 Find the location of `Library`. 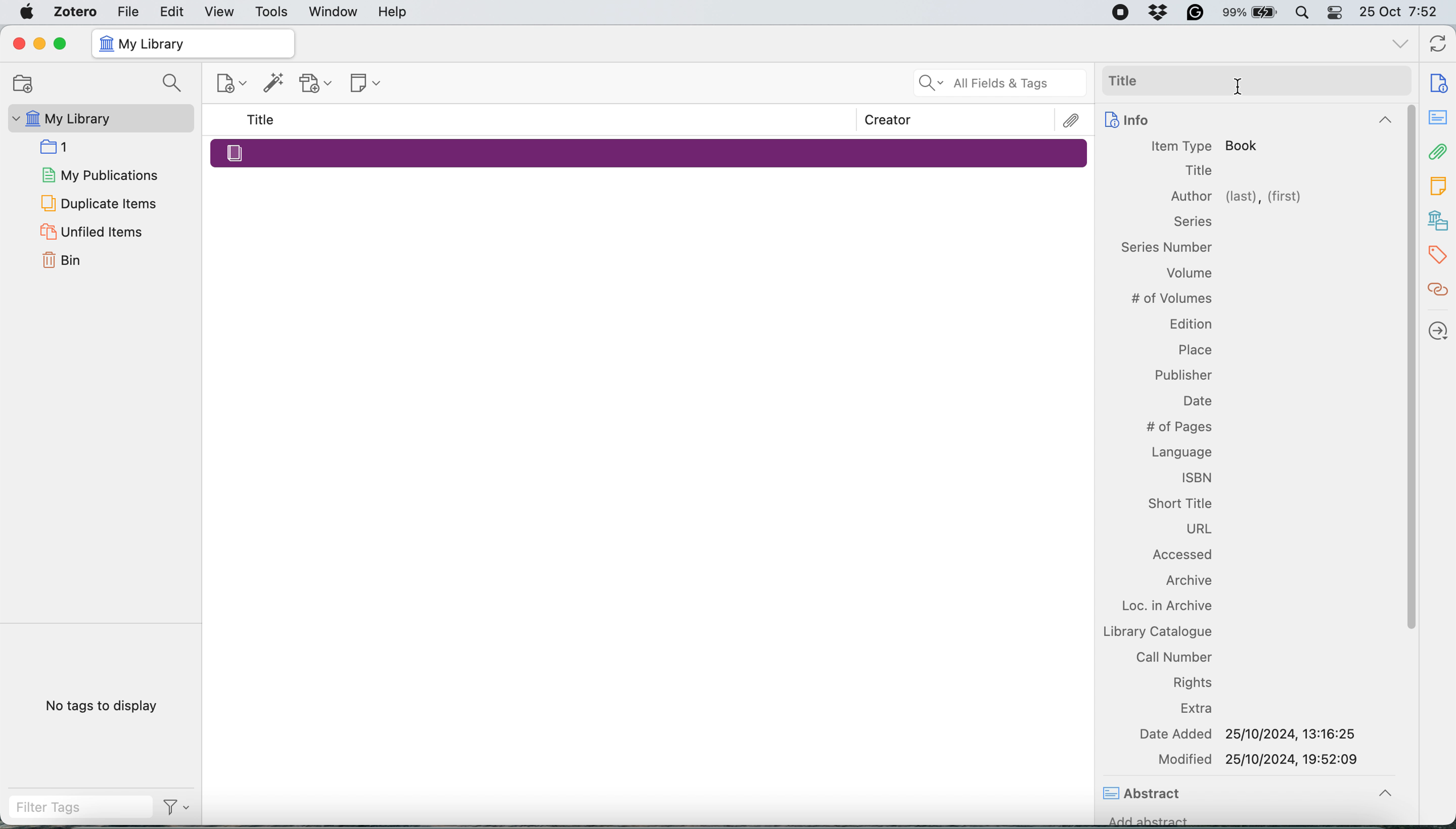

Library is located at coordinates (1439, 221).